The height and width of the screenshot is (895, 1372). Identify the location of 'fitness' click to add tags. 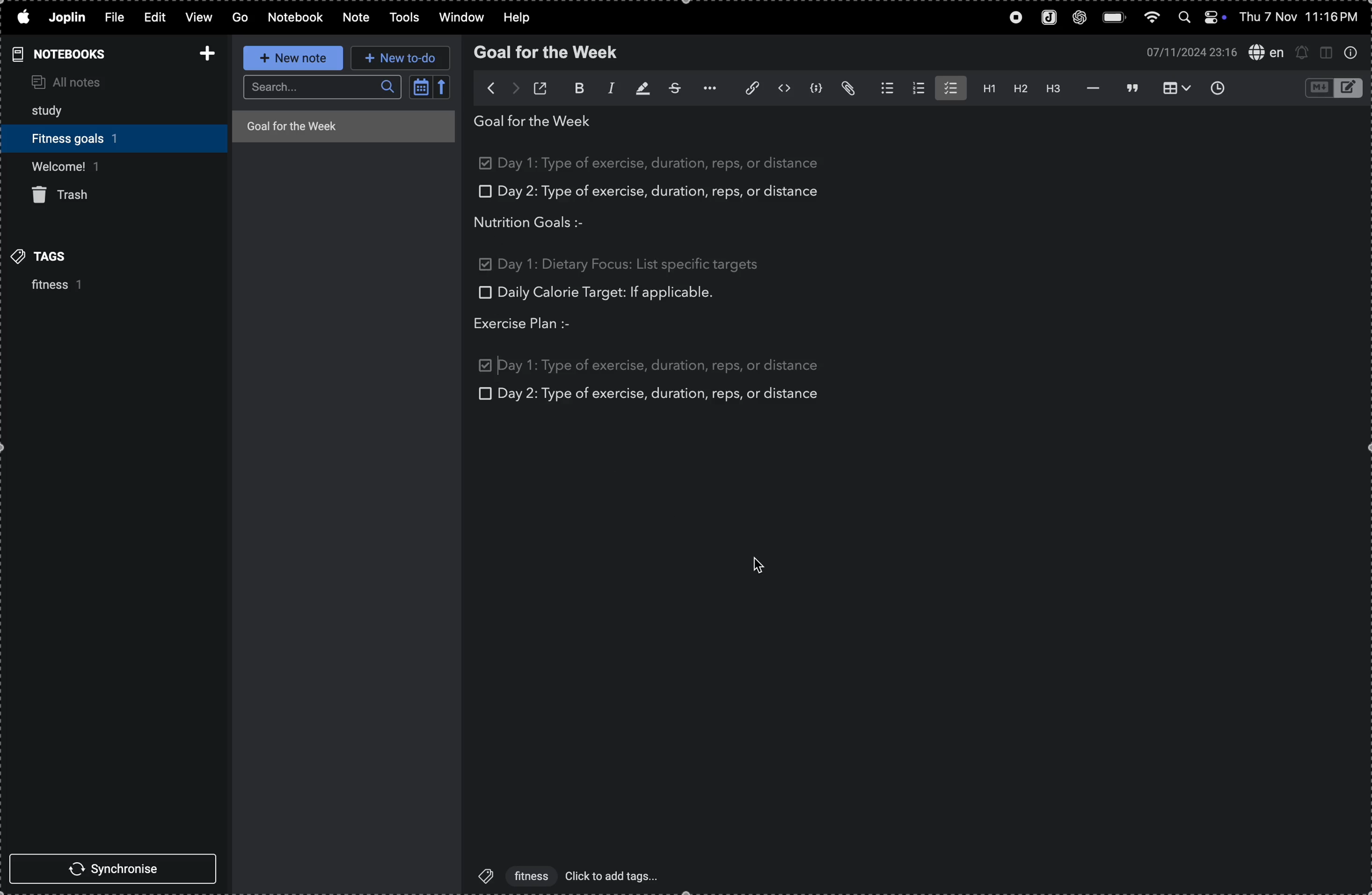
(564, 875).